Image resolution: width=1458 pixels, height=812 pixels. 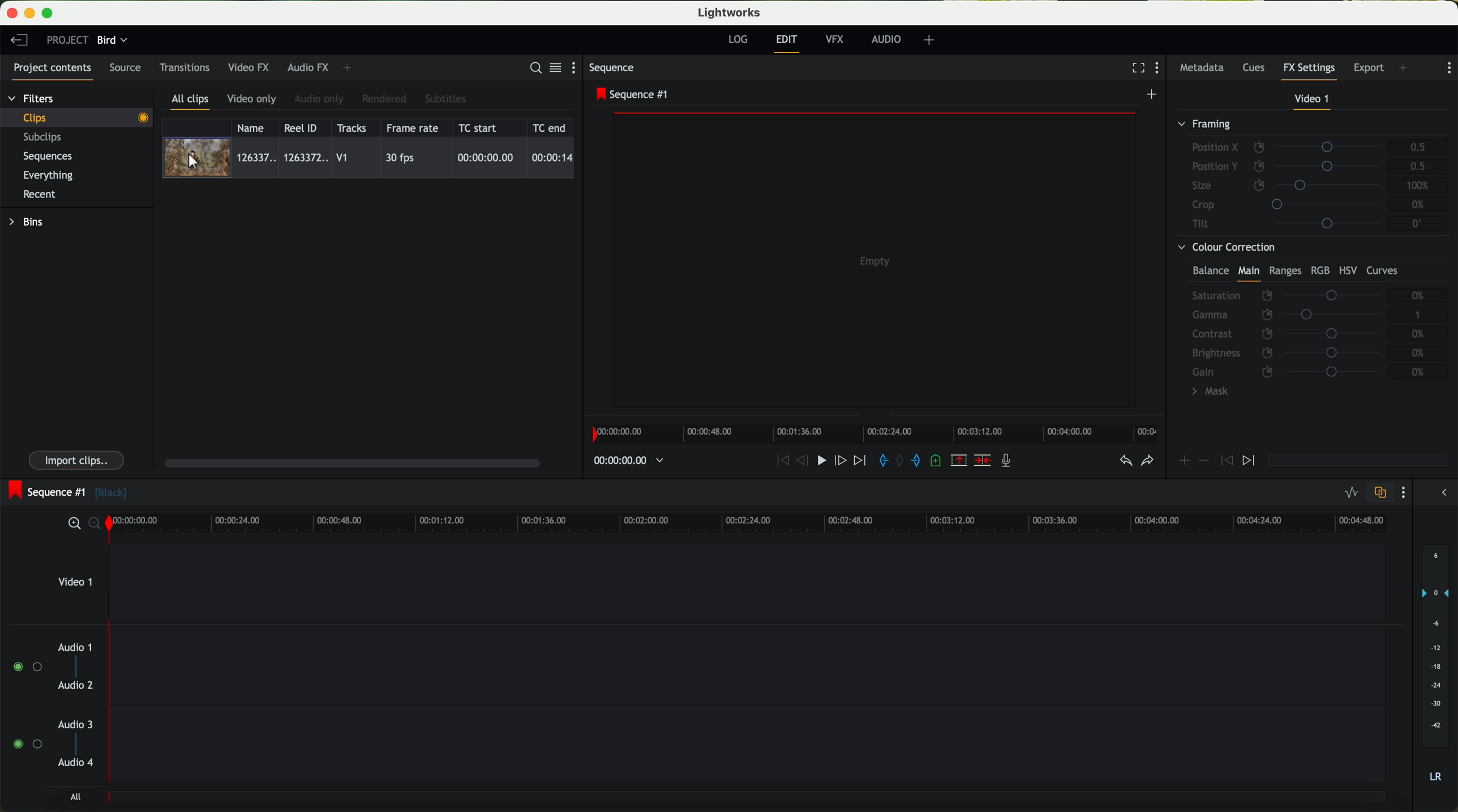 What do you see at coordinates (842, 461) in the screenshot?
I see `nudge one frame foward` at bounding box center [842, 461].